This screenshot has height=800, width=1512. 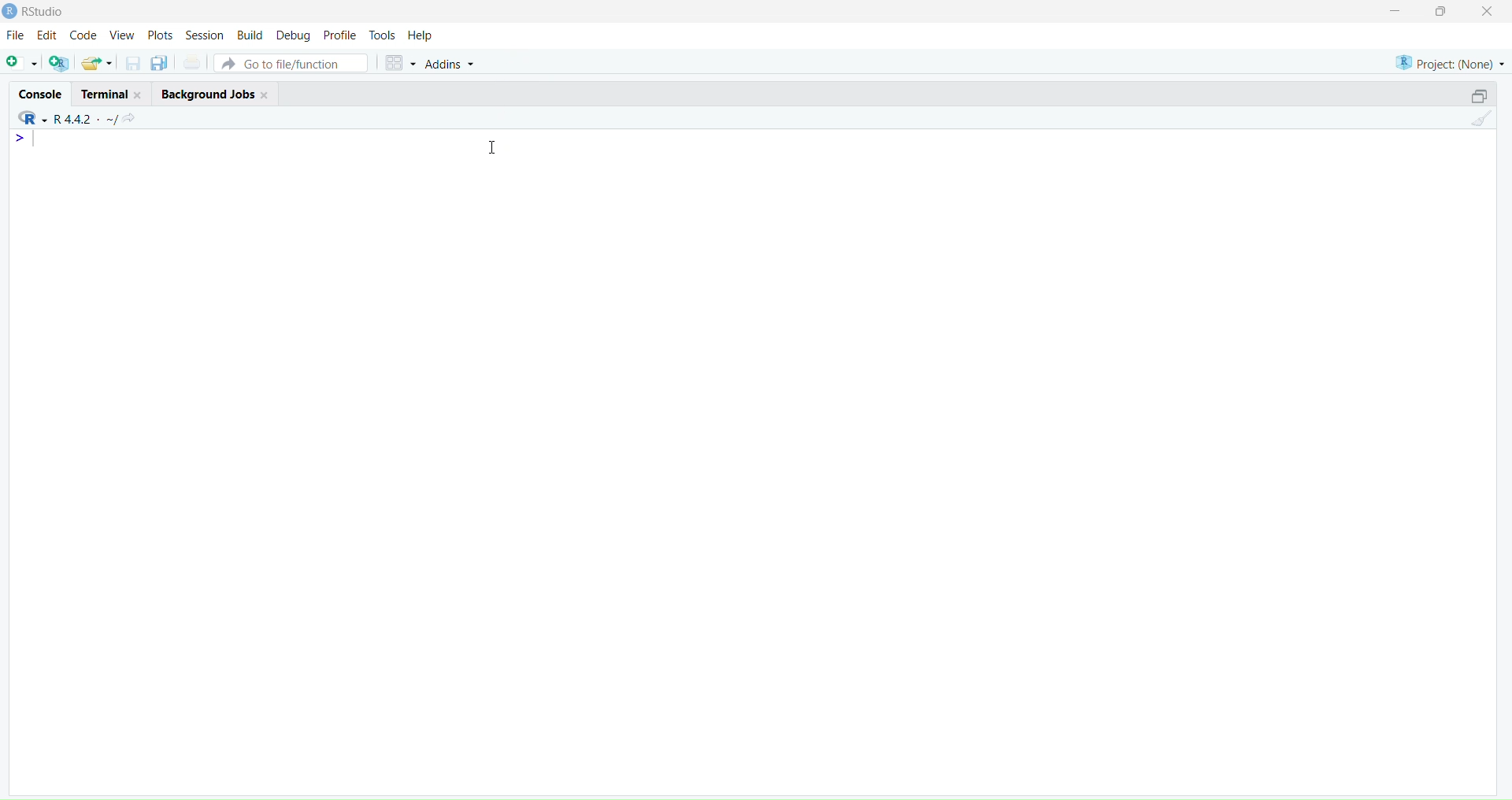 What do you see at coordinates (339, 36) in the screenshot?
I see `profile` at bounding box center [339, 36].